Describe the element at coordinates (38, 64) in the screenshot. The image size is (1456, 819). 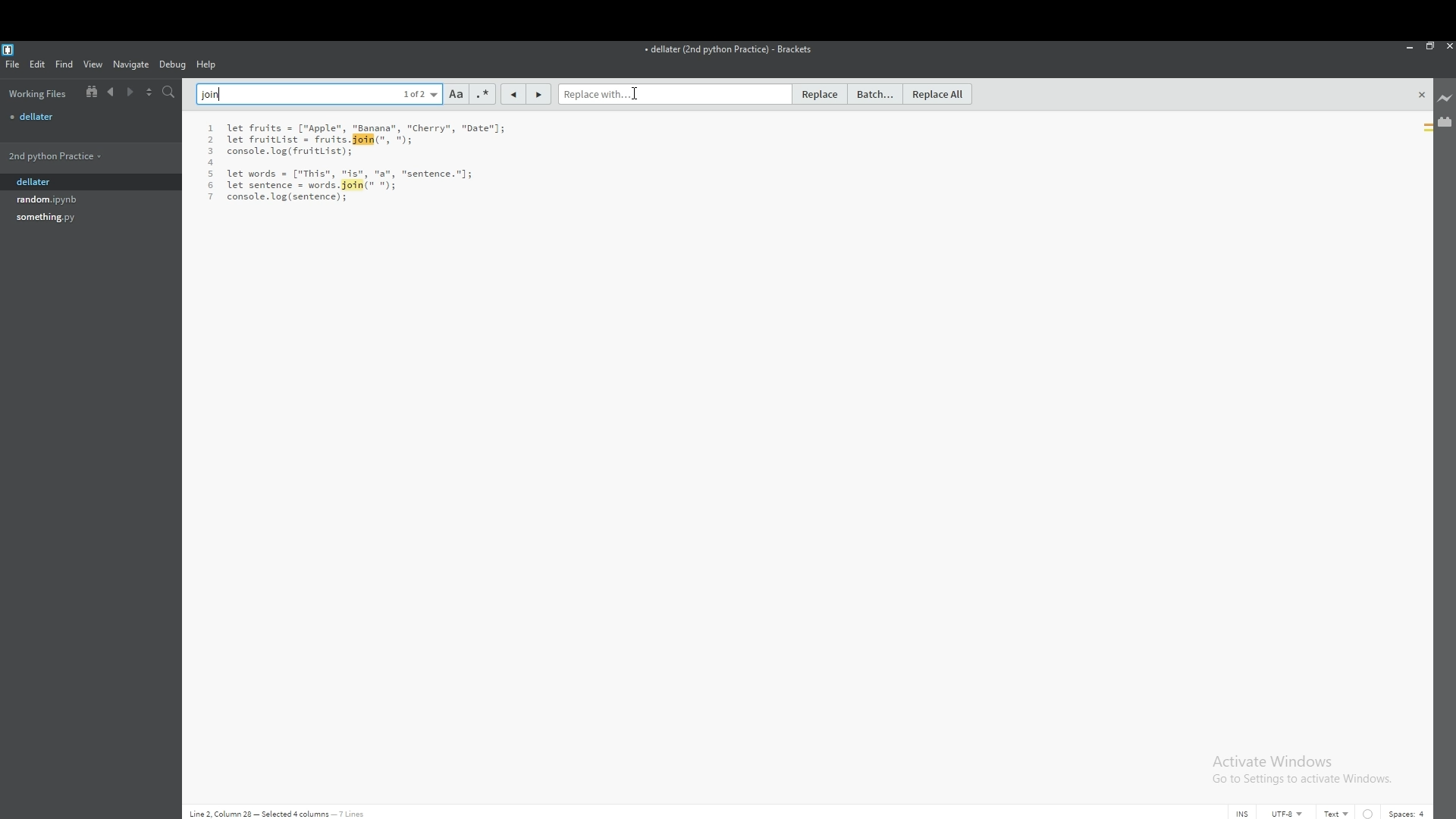
I see `edit` at that location.